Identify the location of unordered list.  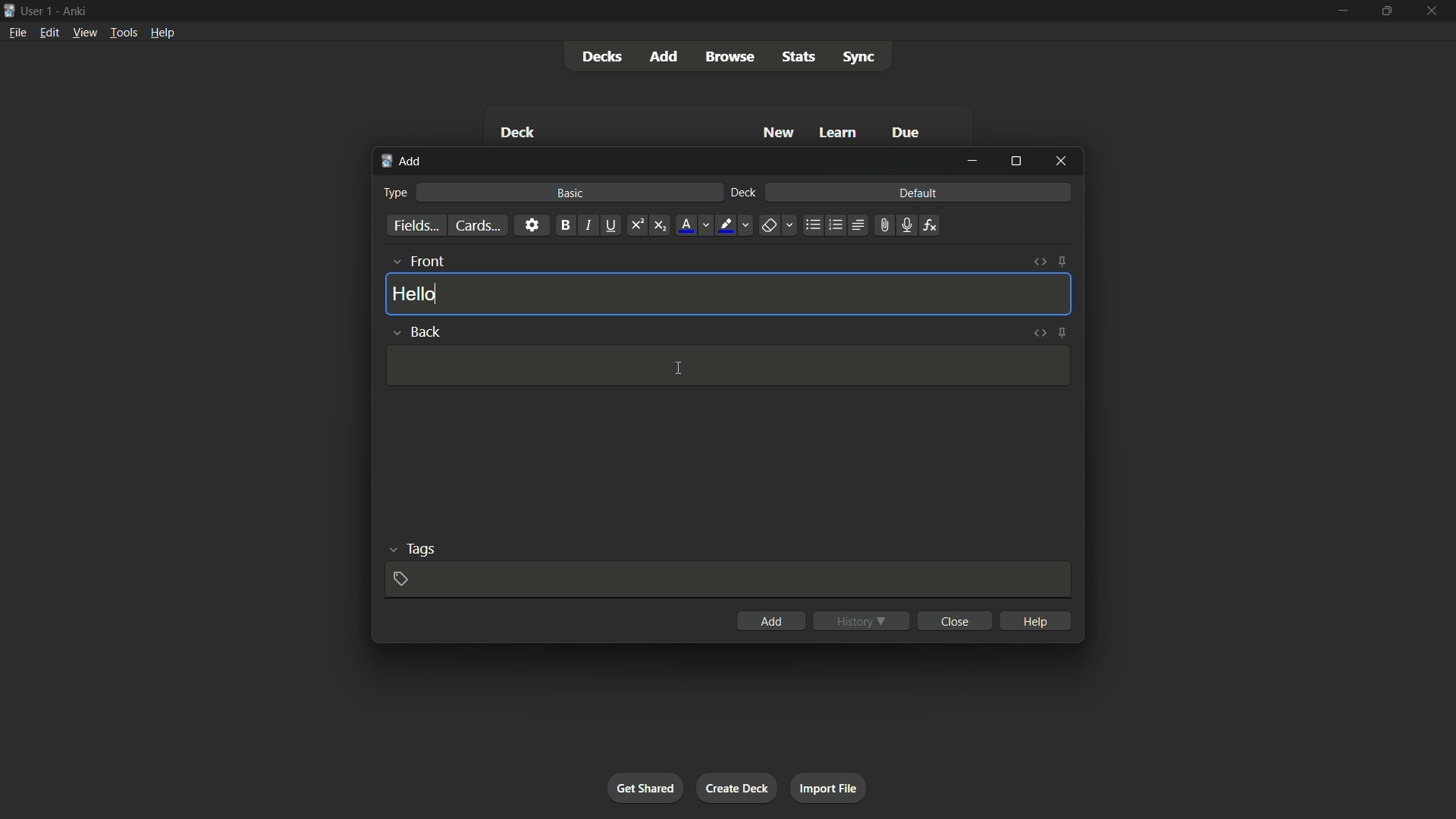
(813, 226).